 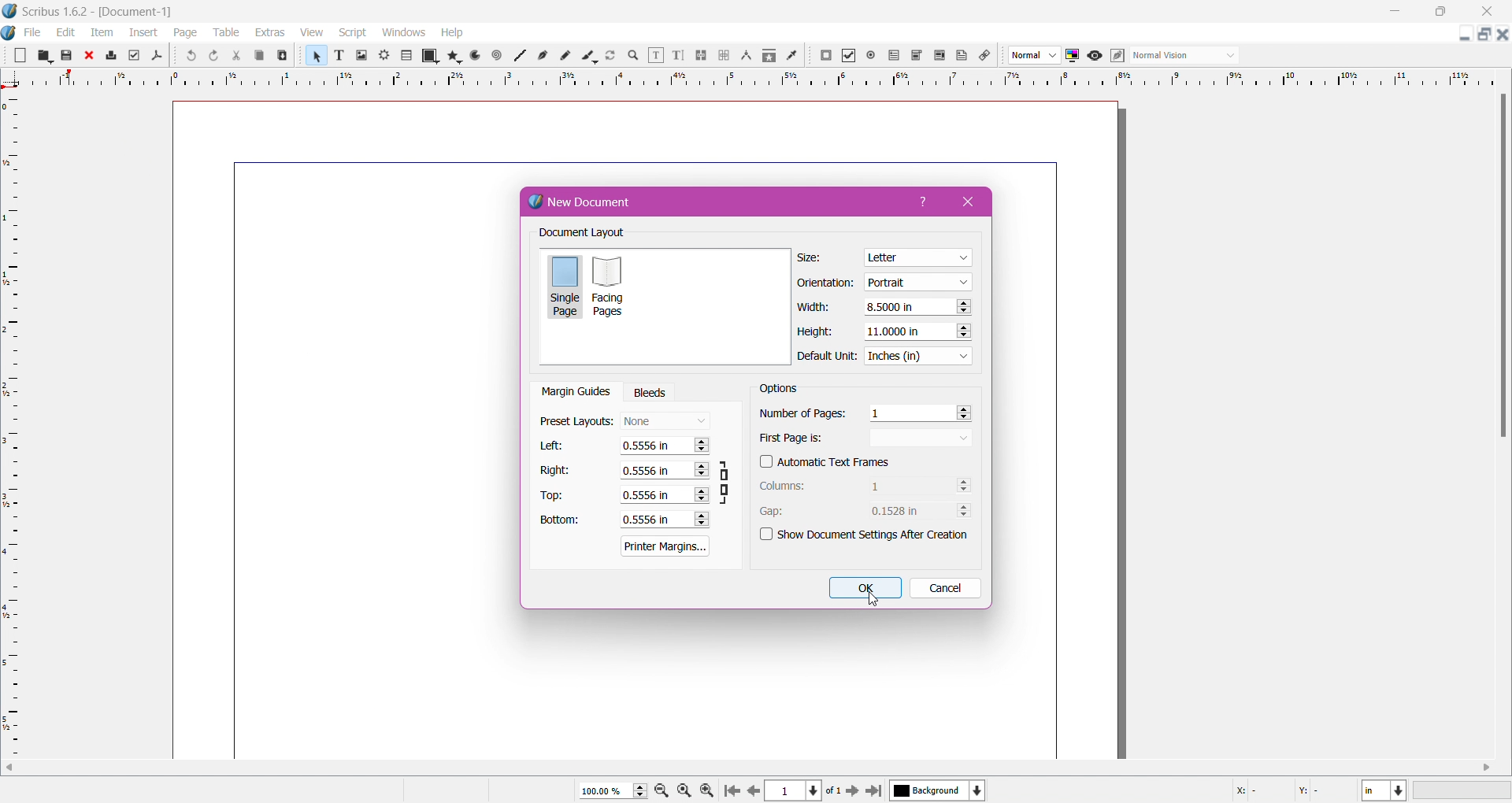 What do you see at coordinates (943, 791) in the screenshot?
I see `Background` at bounding box center [943, 791].